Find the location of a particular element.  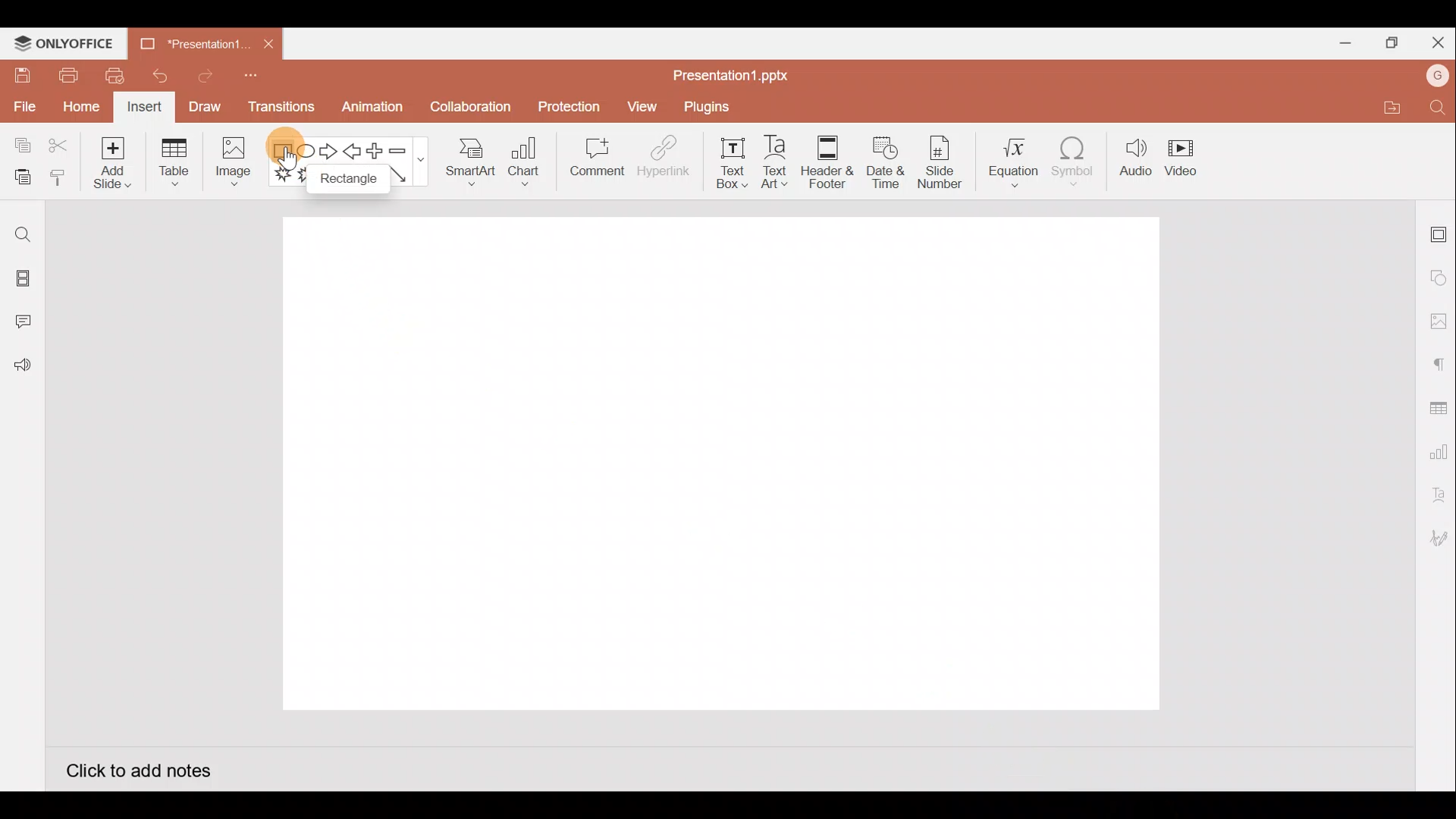

Close document is located at coordinates (268, 39).